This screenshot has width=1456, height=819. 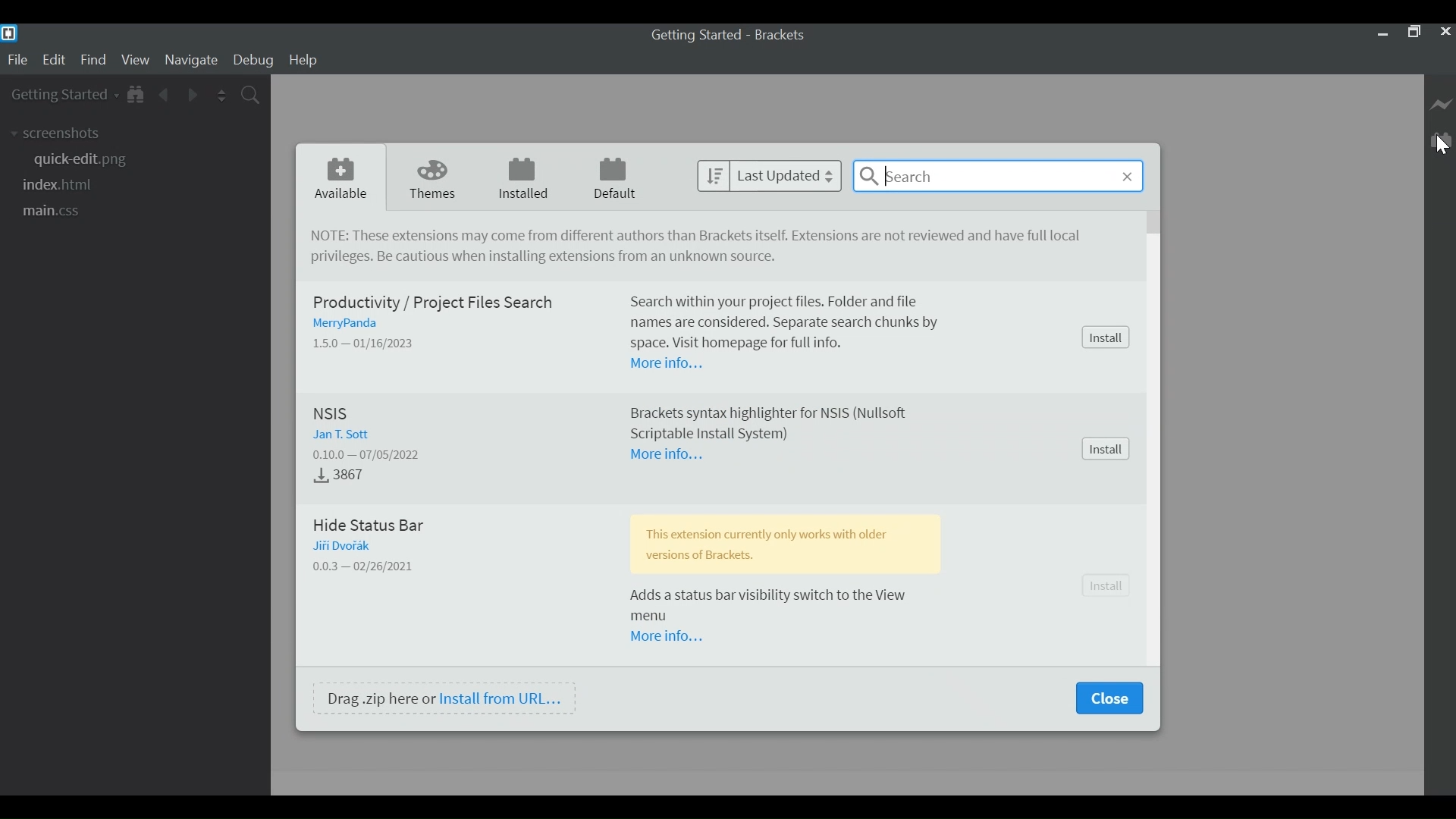 What do you see at coordinates (367, 343) in the screenshot?
I see `Version - Release Date` at bounding box center [367, 343].